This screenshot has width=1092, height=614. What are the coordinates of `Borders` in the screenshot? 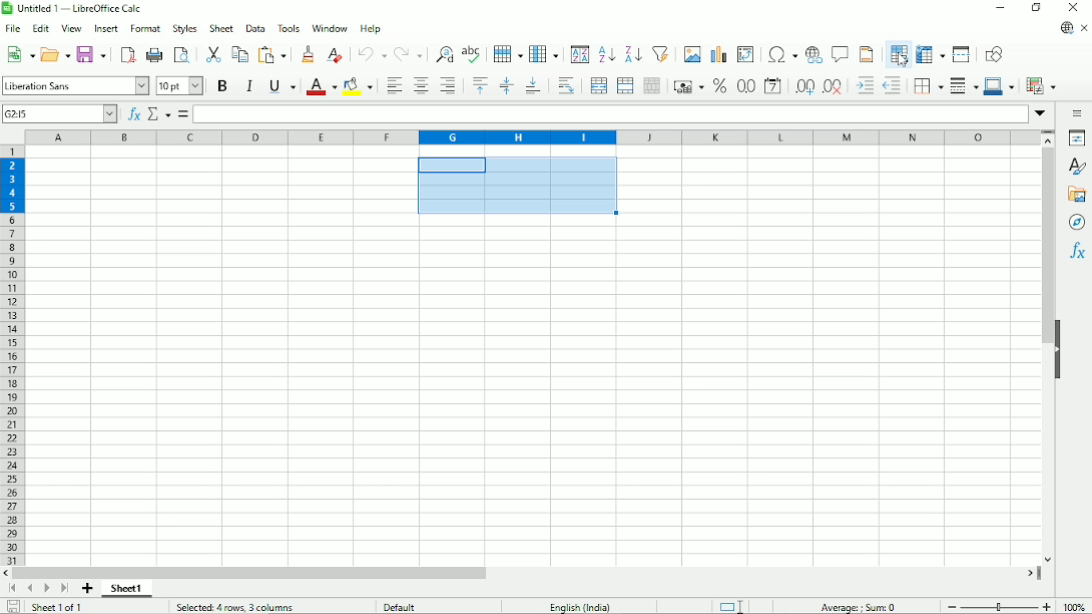 It's located at (927, 87).